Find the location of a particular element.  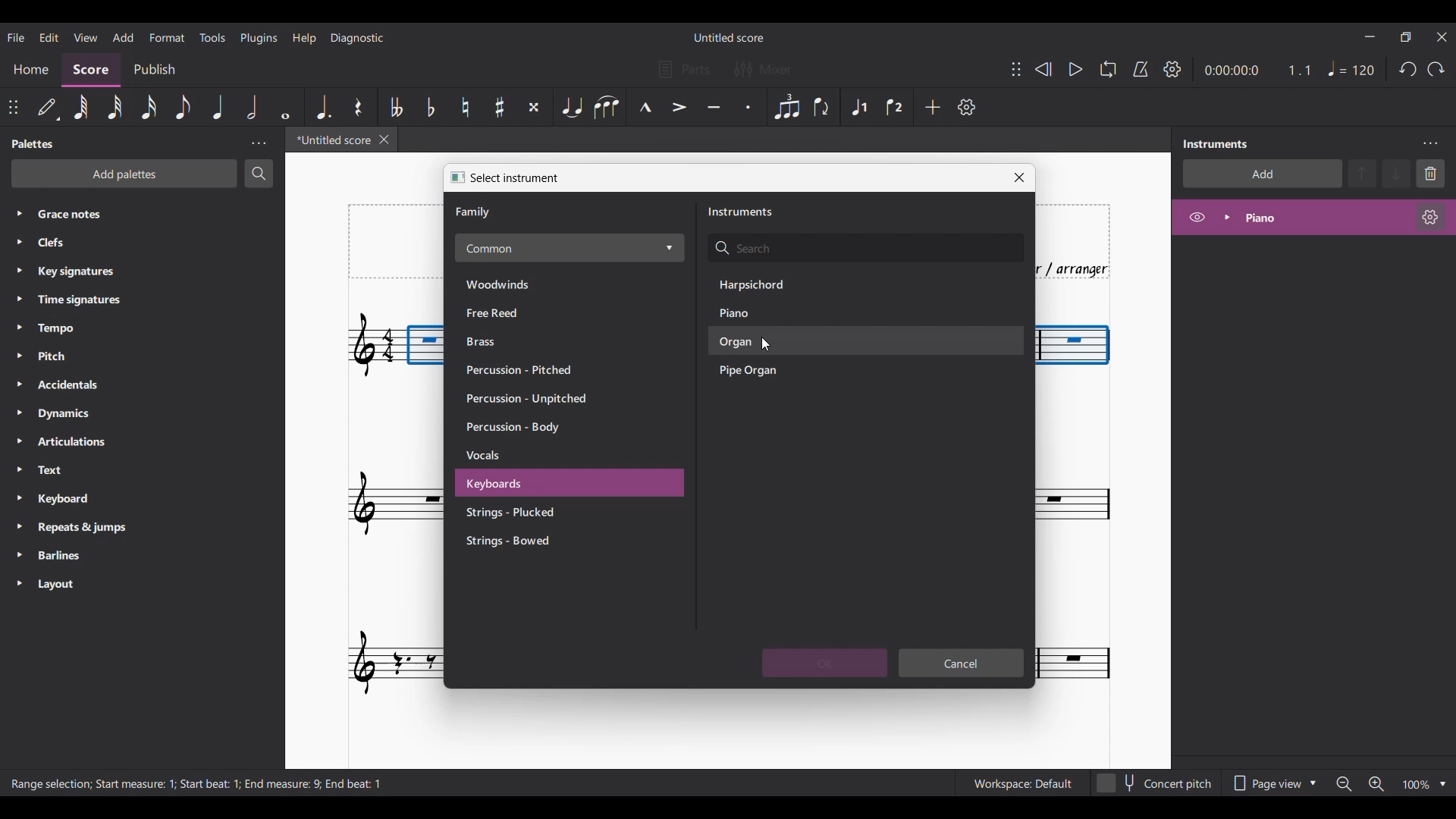

Pitch is located at coordinates (86, 355).